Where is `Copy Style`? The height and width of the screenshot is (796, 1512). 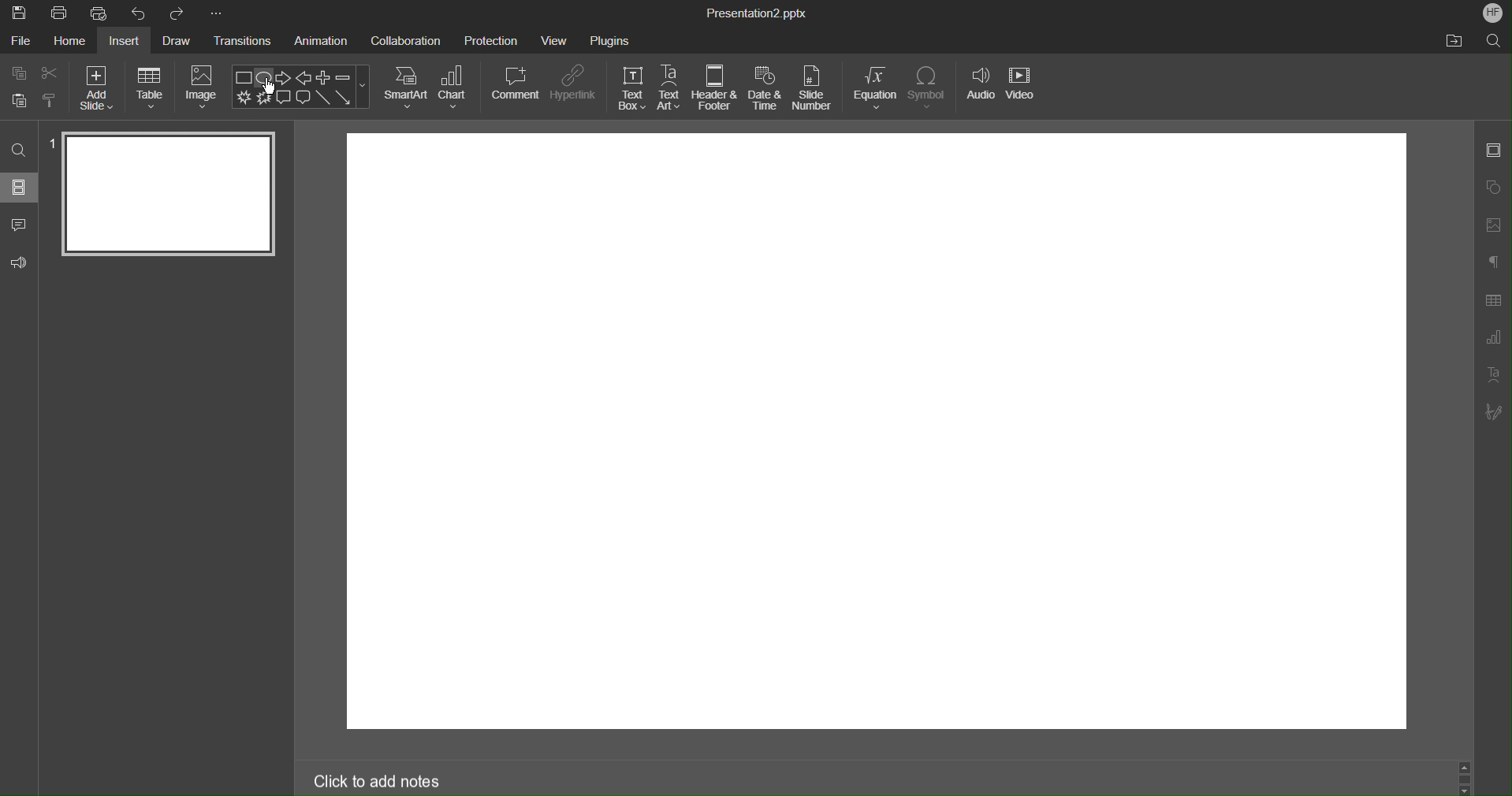
Copy Style is located at coordinates (50, 99).